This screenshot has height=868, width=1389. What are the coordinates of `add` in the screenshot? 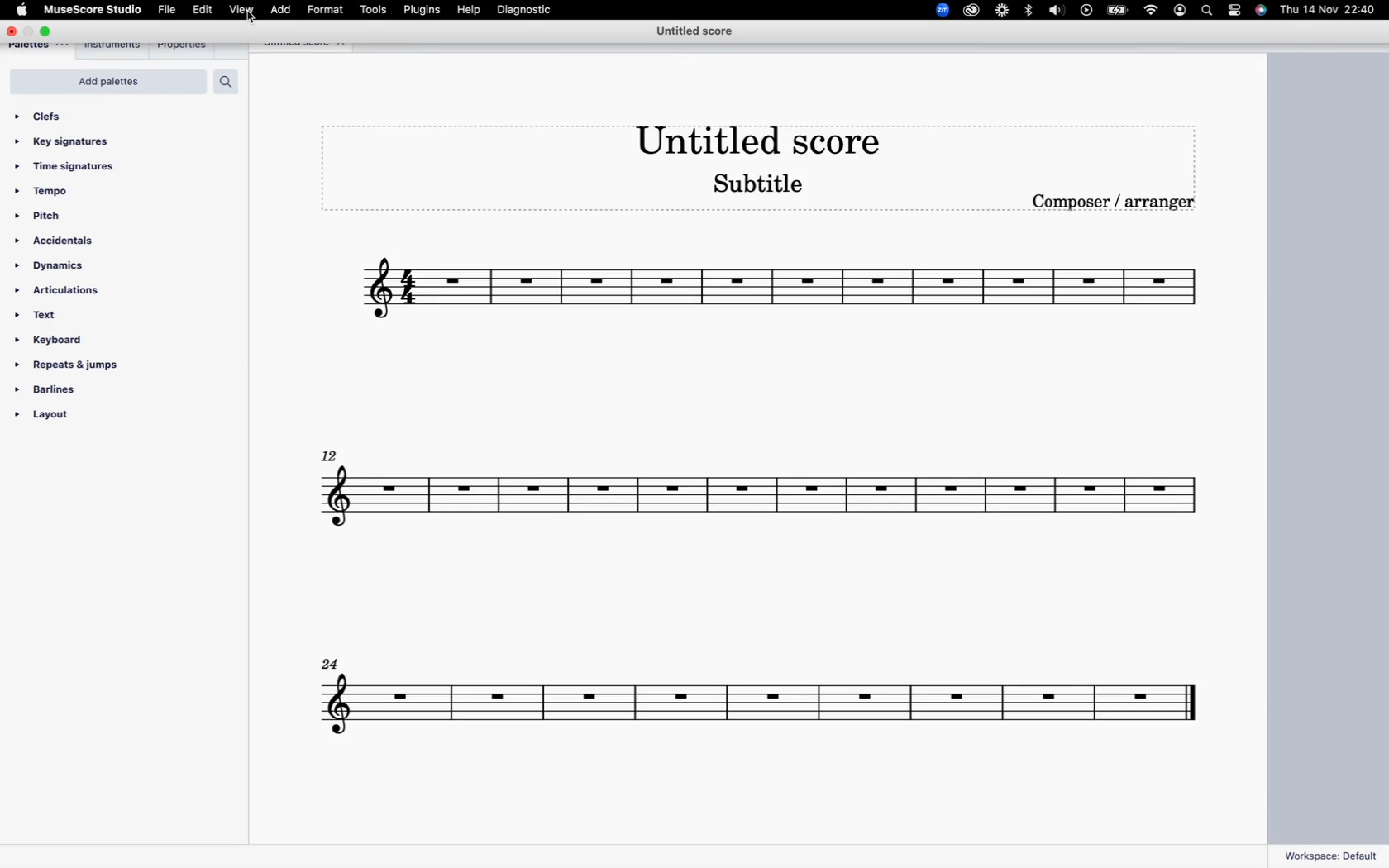 It's located at (281, 10).